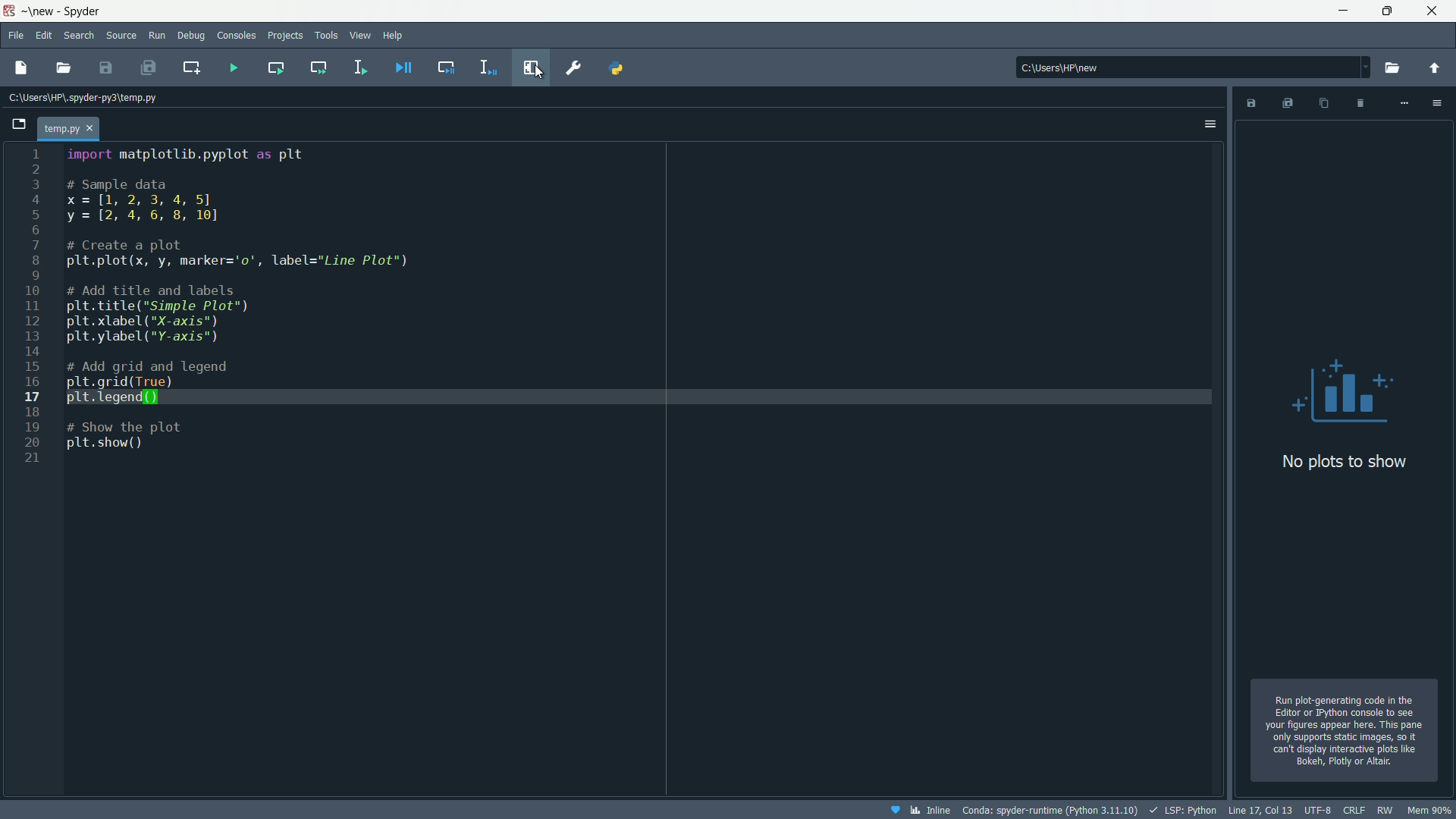  What do you see at coordinates (79, 35) in the screenshot?
I see `search` at bounding box center [79, 35].